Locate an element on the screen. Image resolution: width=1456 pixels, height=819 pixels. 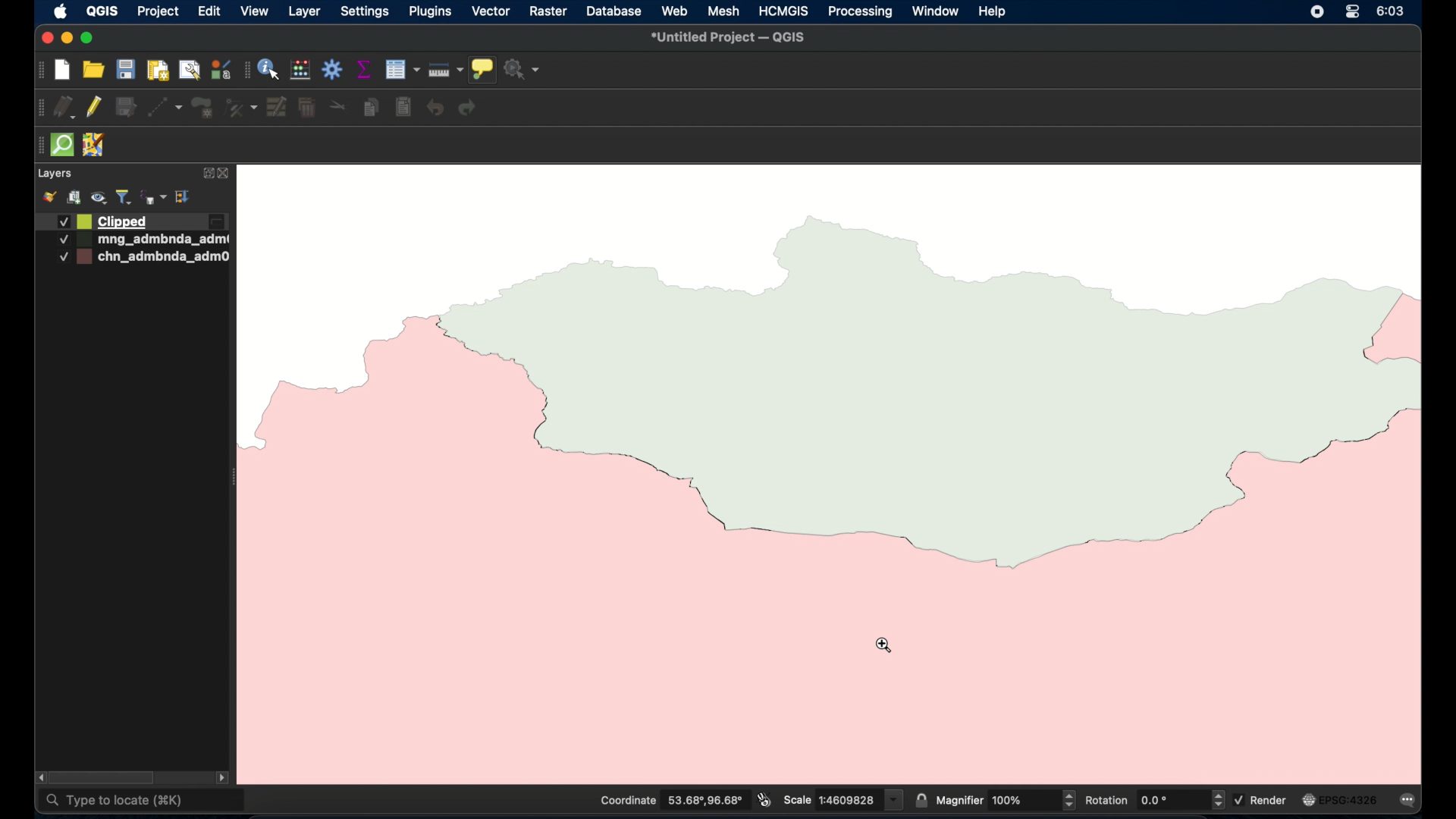
close is located at coordinates (45, 38).